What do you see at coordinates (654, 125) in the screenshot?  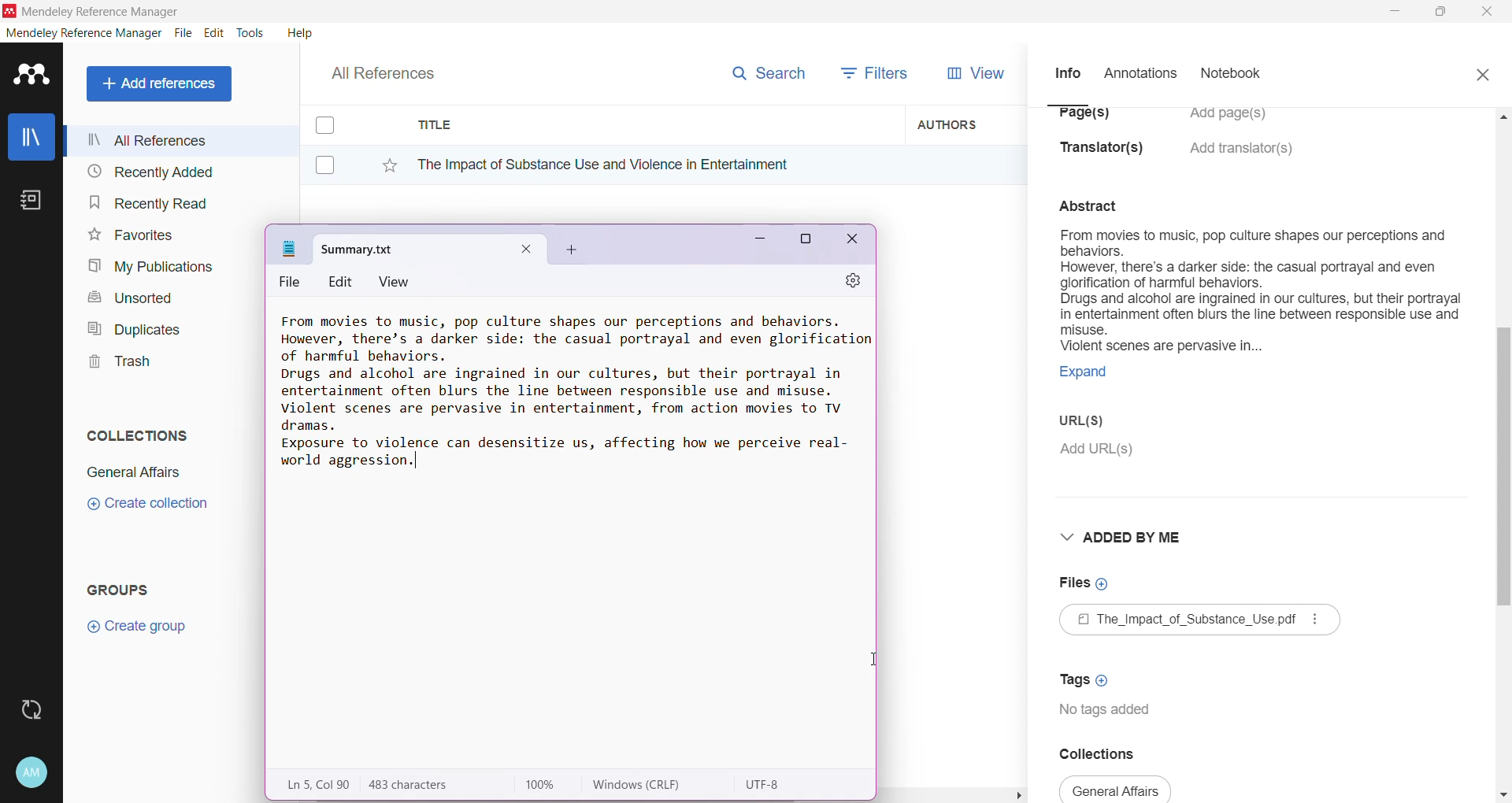 I see `Title` at bounding box center [654, 125].